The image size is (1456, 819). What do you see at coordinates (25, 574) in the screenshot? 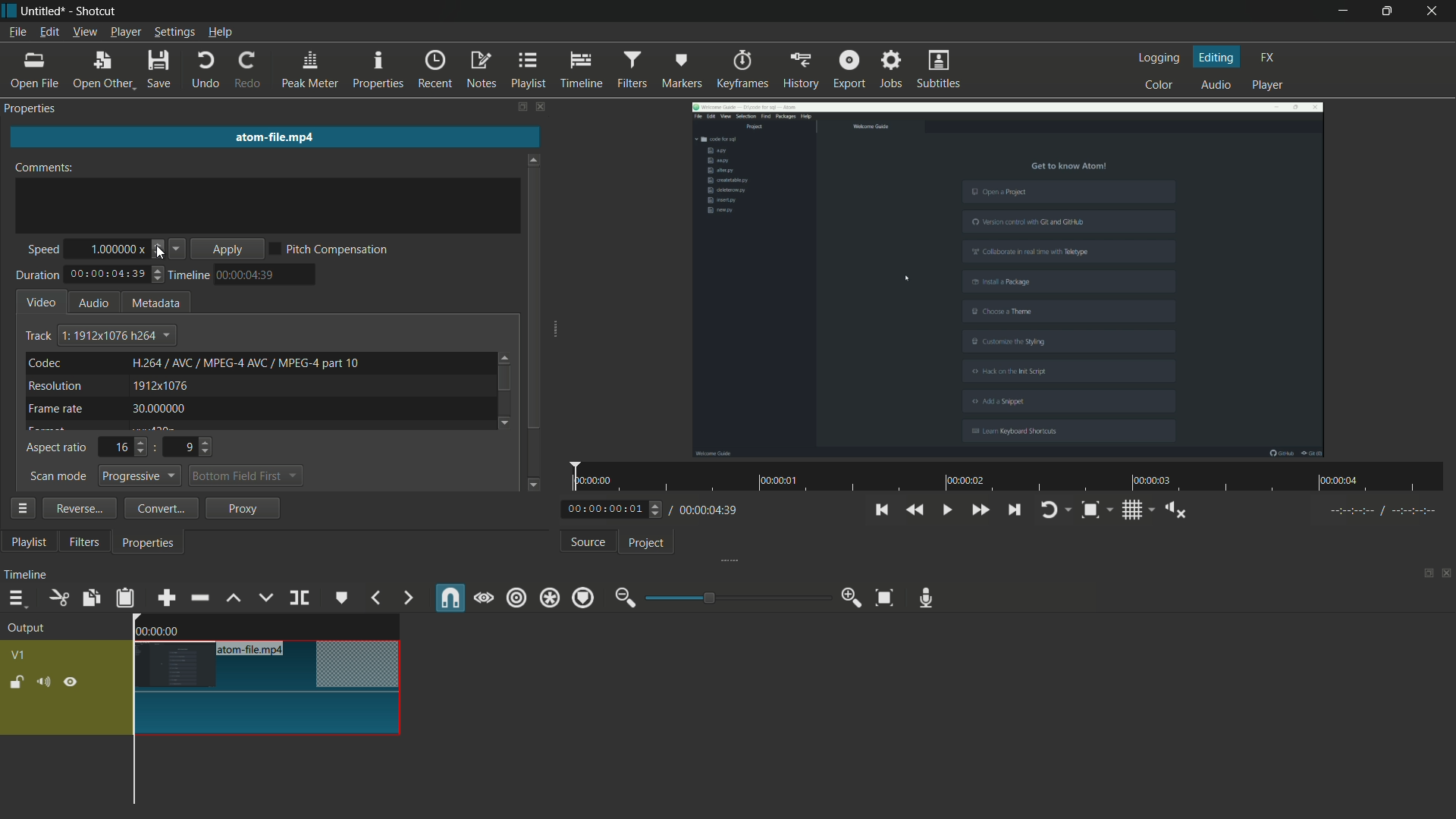
I see `timeline` at bounding box center [25, 574].